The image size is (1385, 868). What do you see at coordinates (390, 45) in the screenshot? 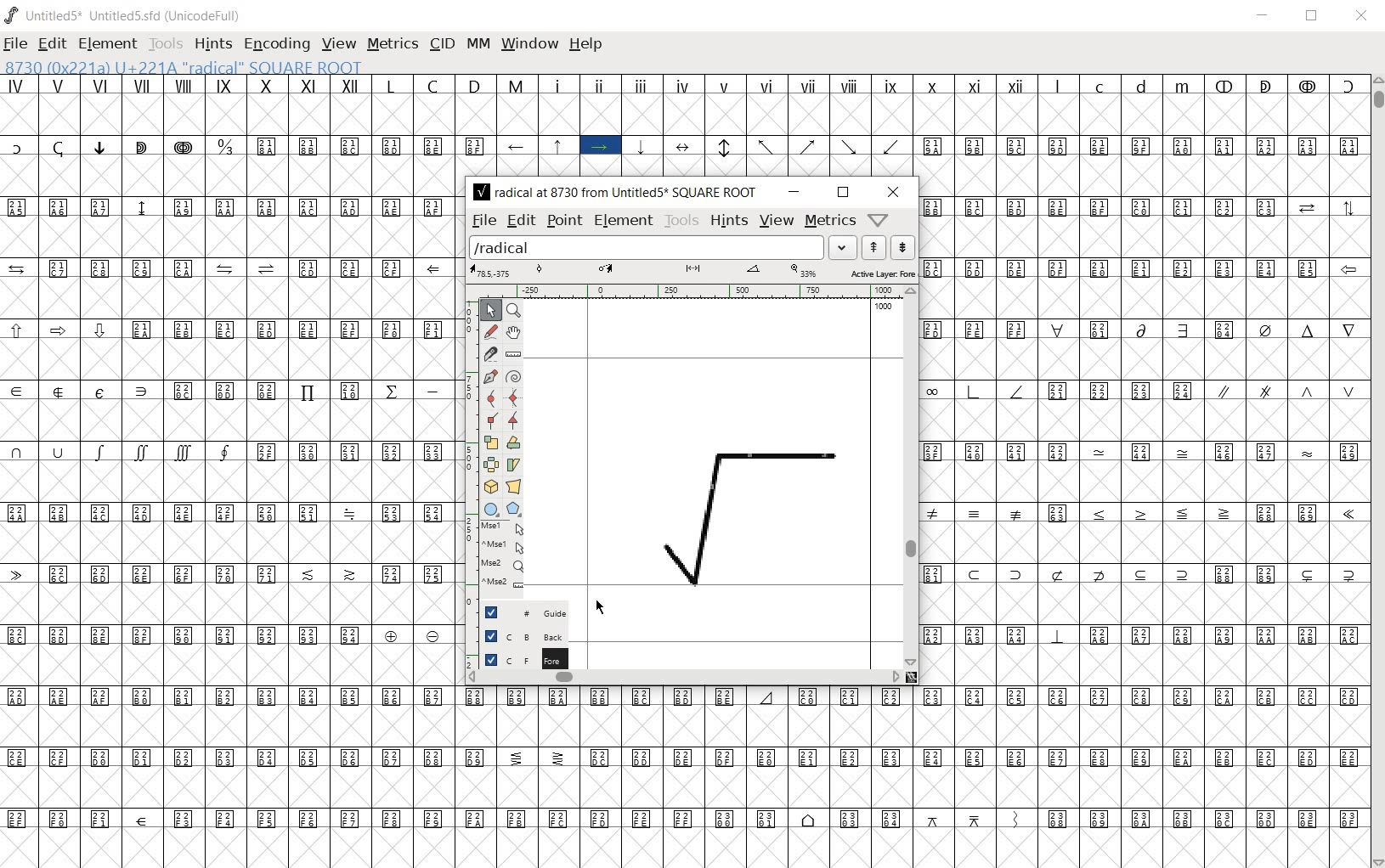
I see `METRICS` at bounding box center [390, 45].